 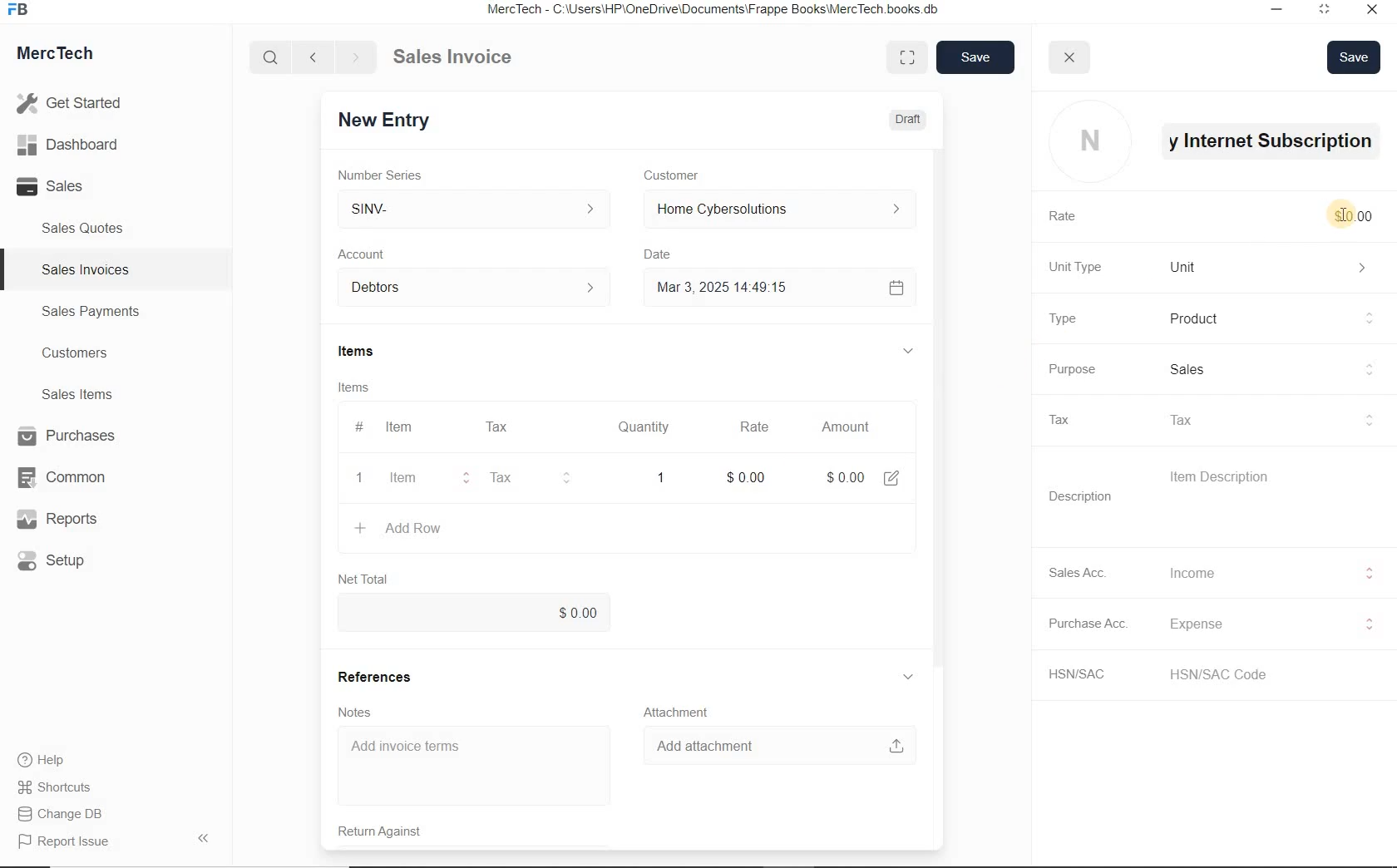 I want to click on Notes, so click(x=359, y=711).